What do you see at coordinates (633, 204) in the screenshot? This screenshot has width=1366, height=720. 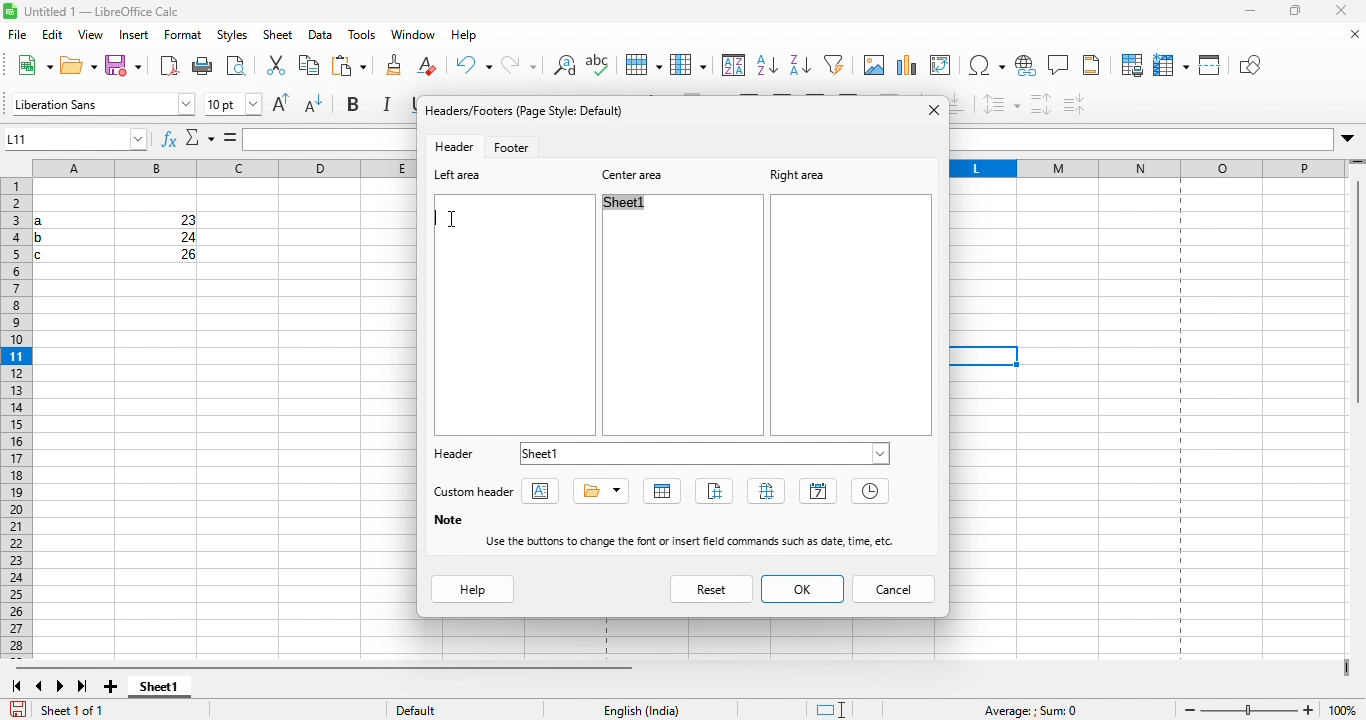 I see `sheet1` at bounding box center [633, 204].